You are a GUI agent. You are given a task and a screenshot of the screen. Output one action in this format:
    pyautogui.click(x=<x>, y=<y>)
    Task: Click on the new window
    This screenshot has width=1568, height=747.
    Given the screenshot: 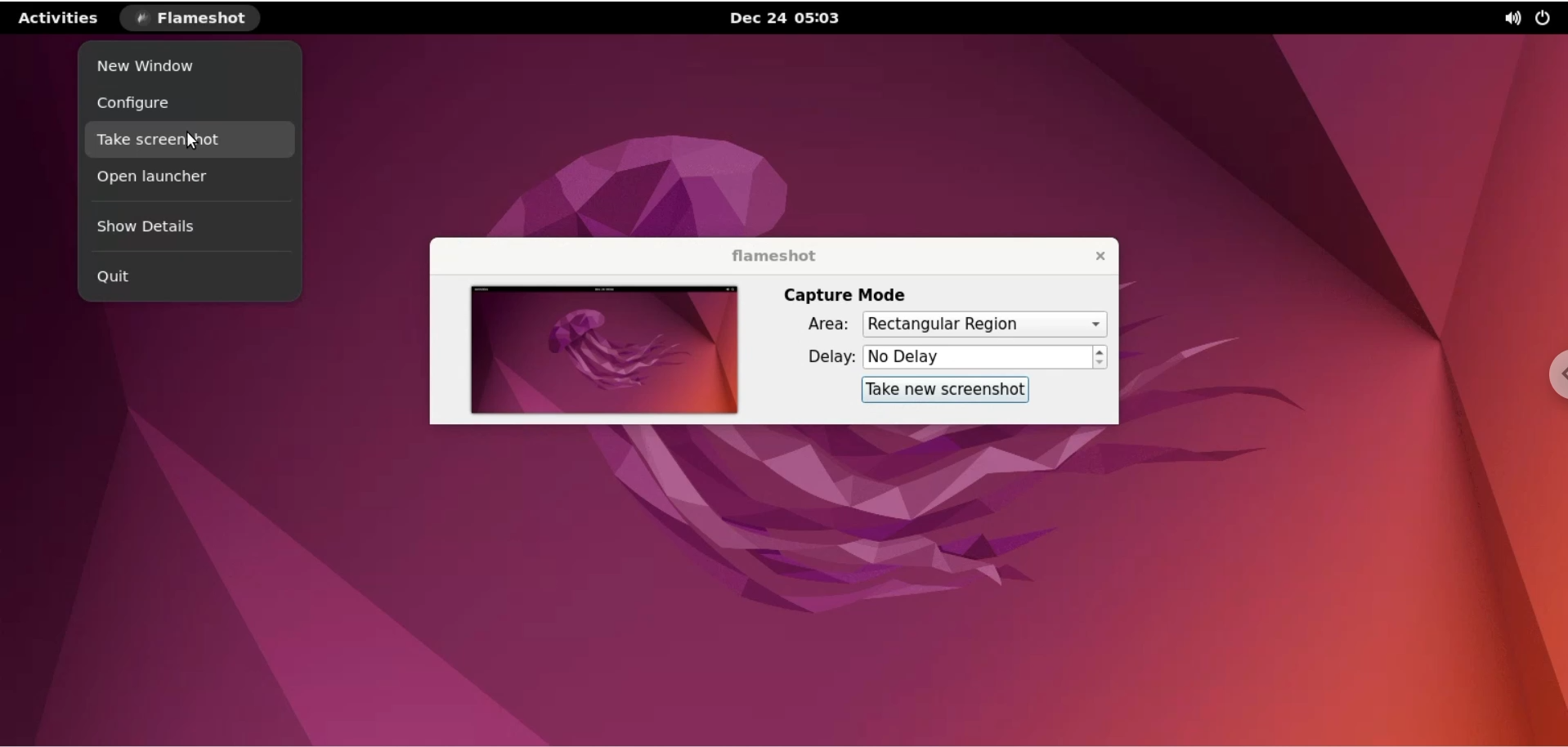 What is the action you would take?
    pyautogui.click(x=190, y=66)
    